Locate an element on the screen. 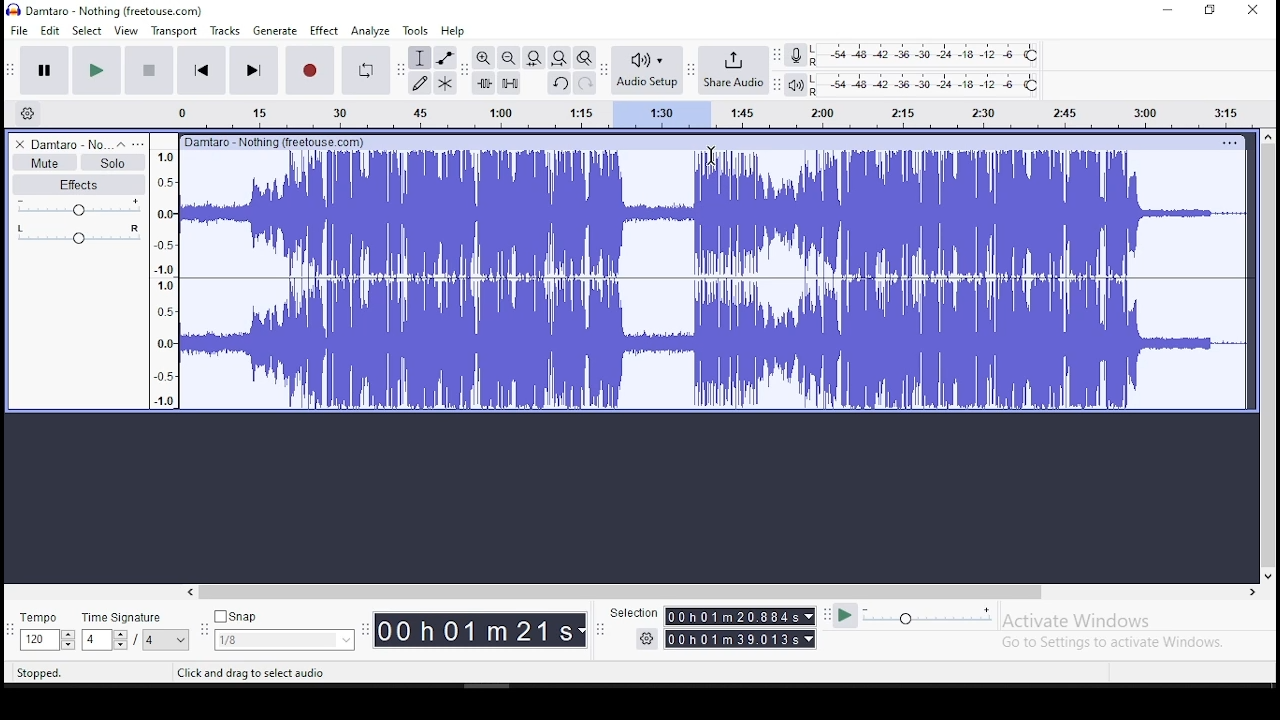 The image size is (1280, 720). open menu is located at coordinates (138, 144).